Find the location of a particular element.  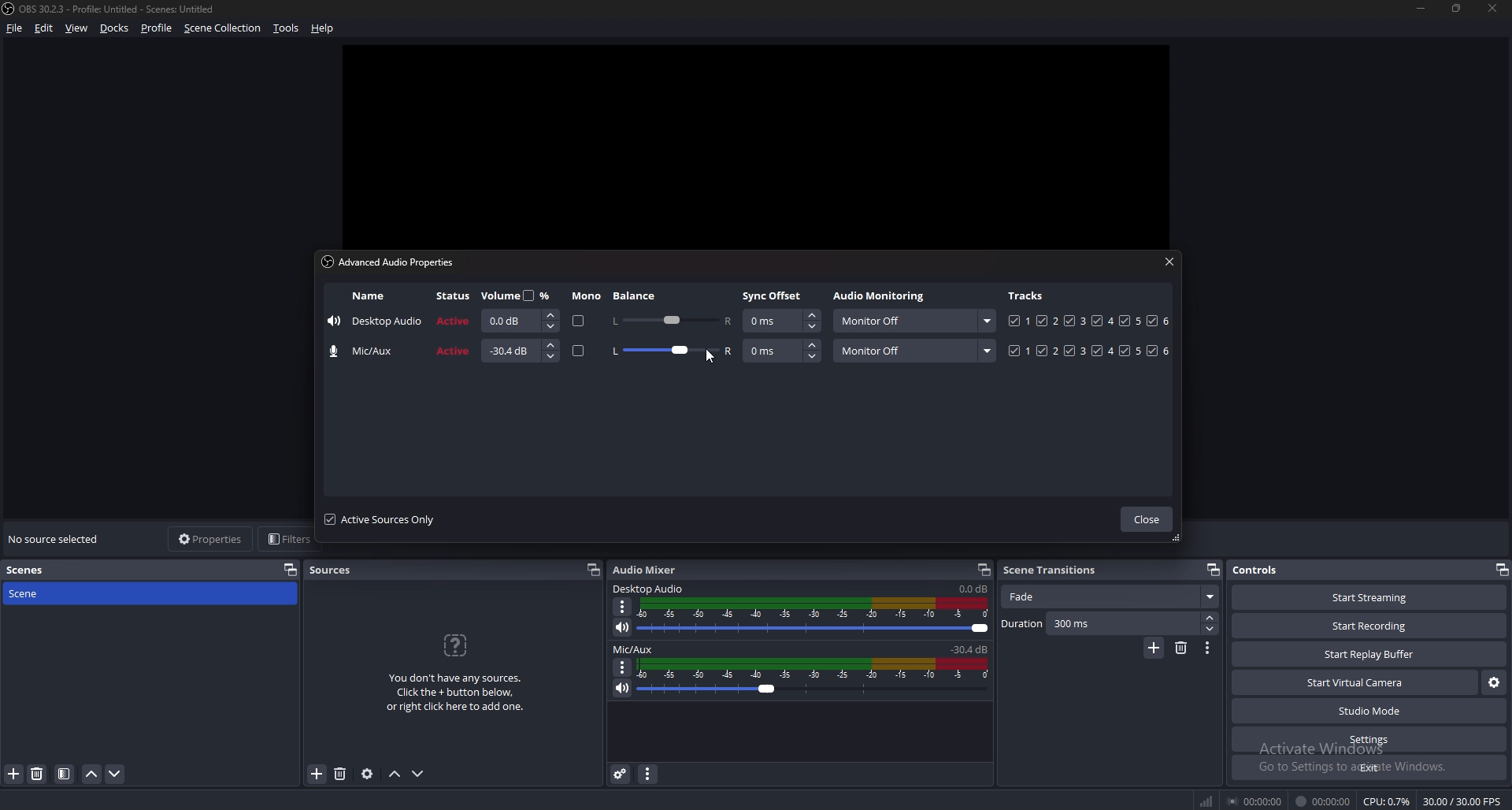

sources is located at coordinates (340, 568).